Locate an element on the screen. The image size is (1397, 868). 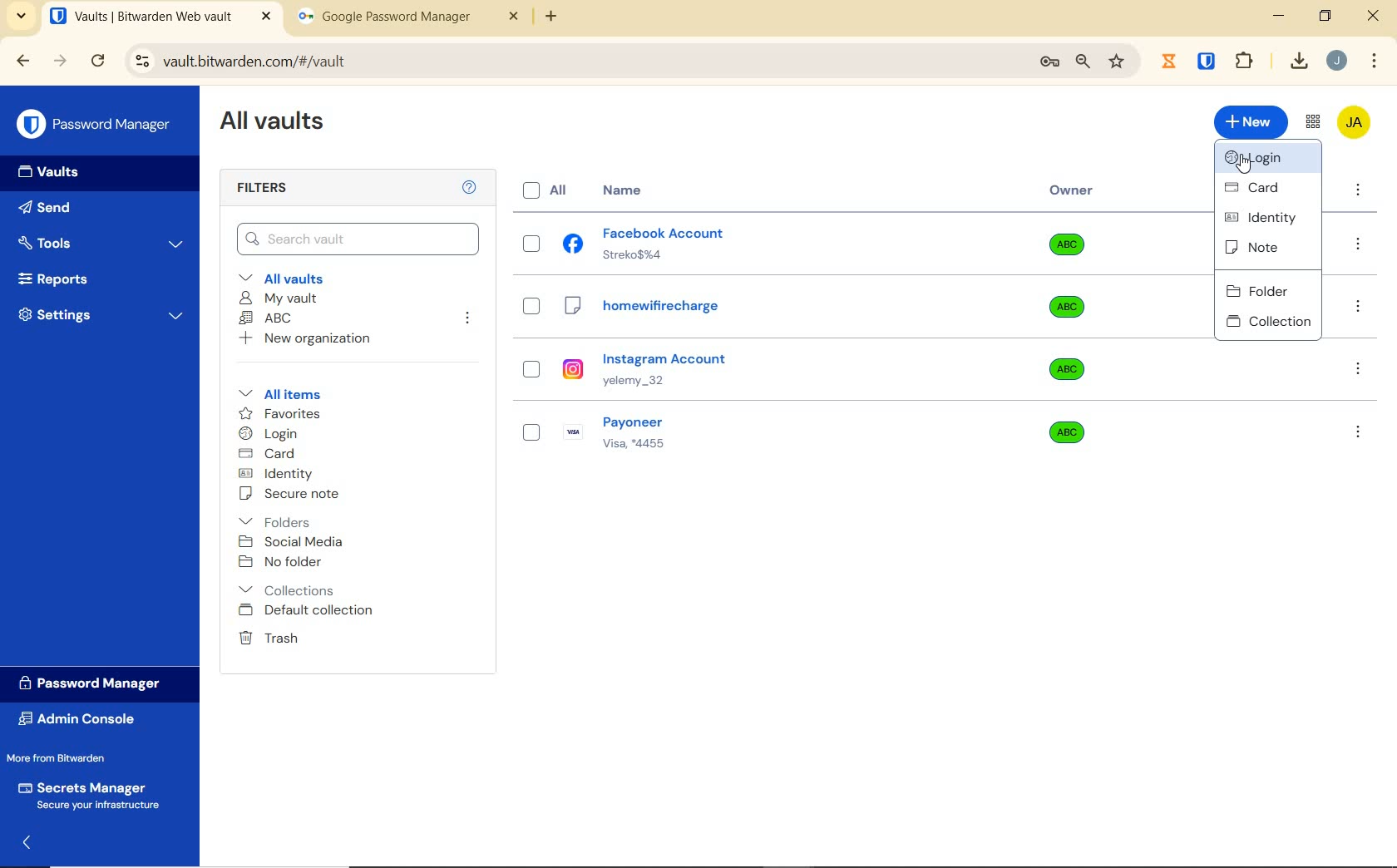
Trash is located at coordinates (265, 637).